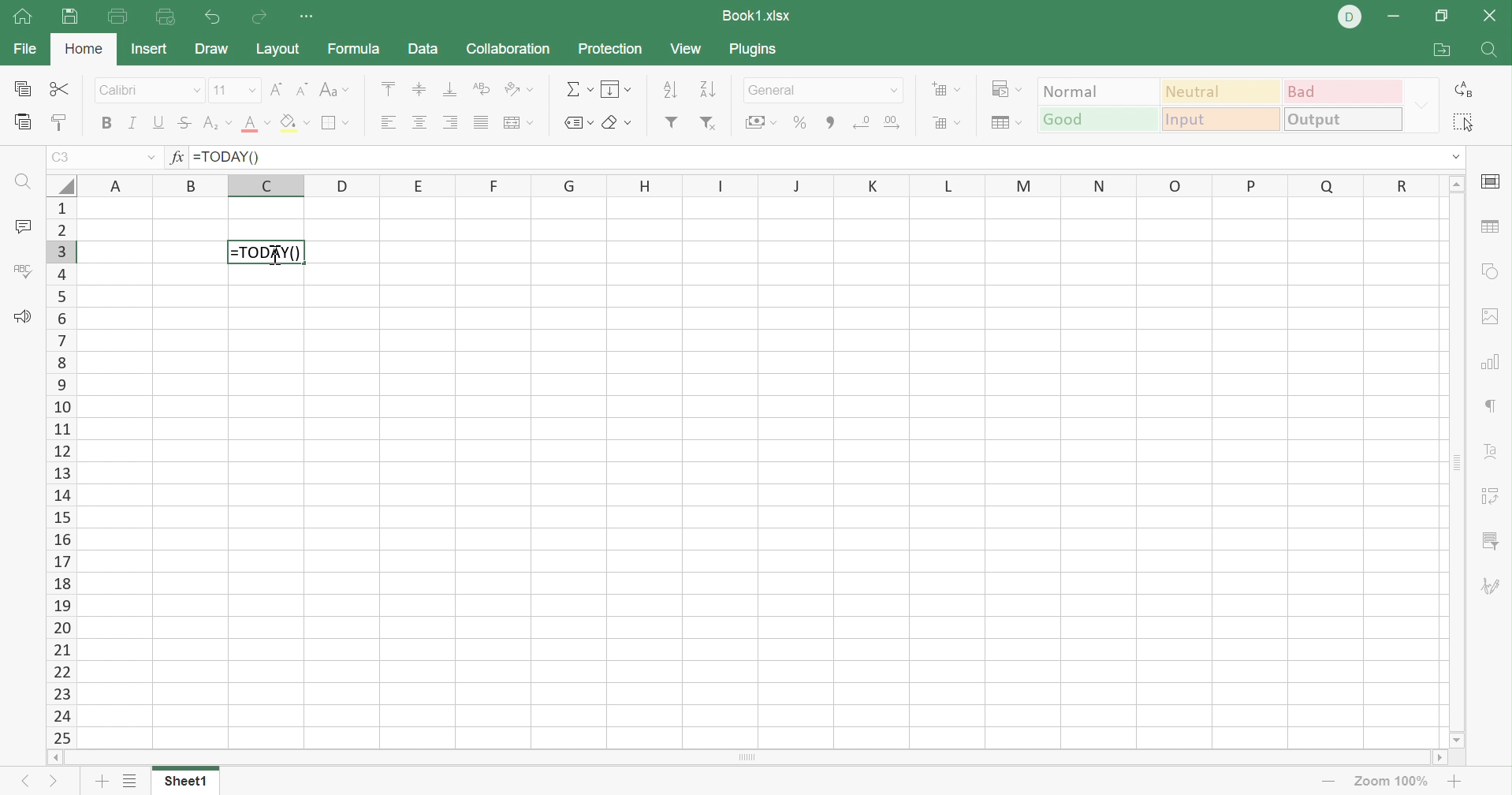  Describe the element at coordinates (60, 185) in the screenshot. I see `select all cells` at that location.